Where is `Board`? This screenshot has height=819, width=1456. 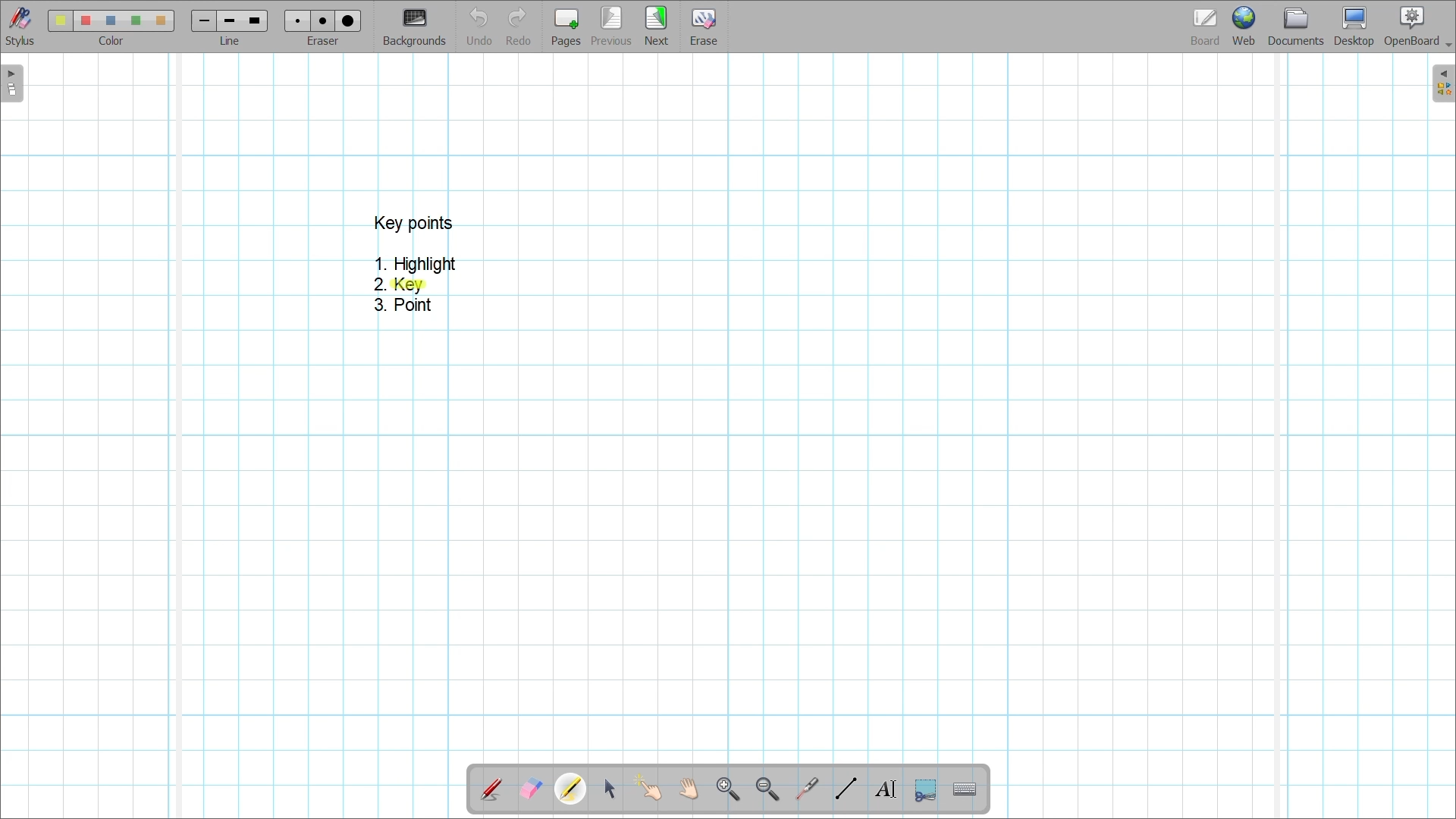
Board is located at coordinates (1206, 27).